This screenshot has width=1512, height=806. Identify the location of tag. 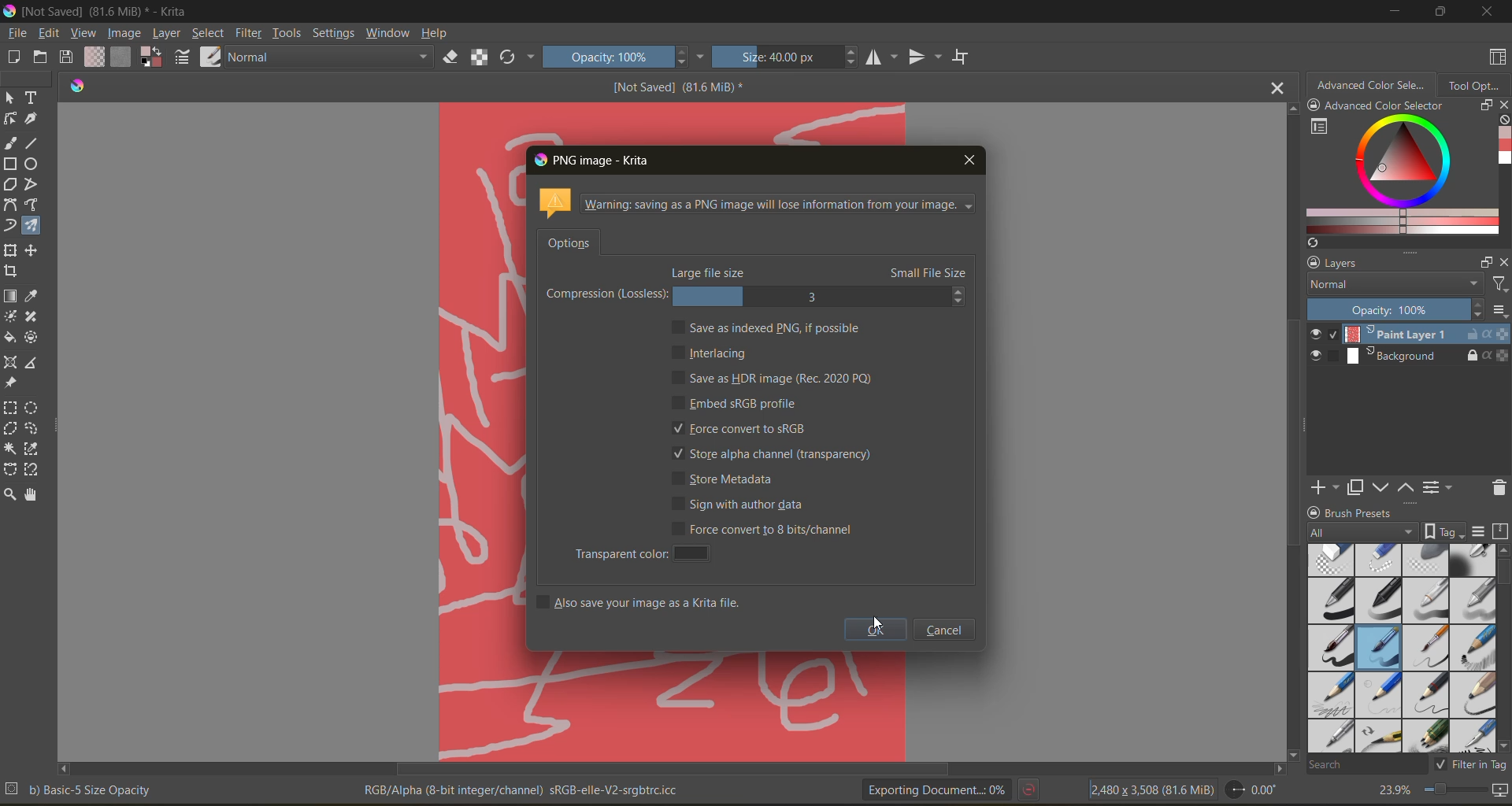
(1363, 533).